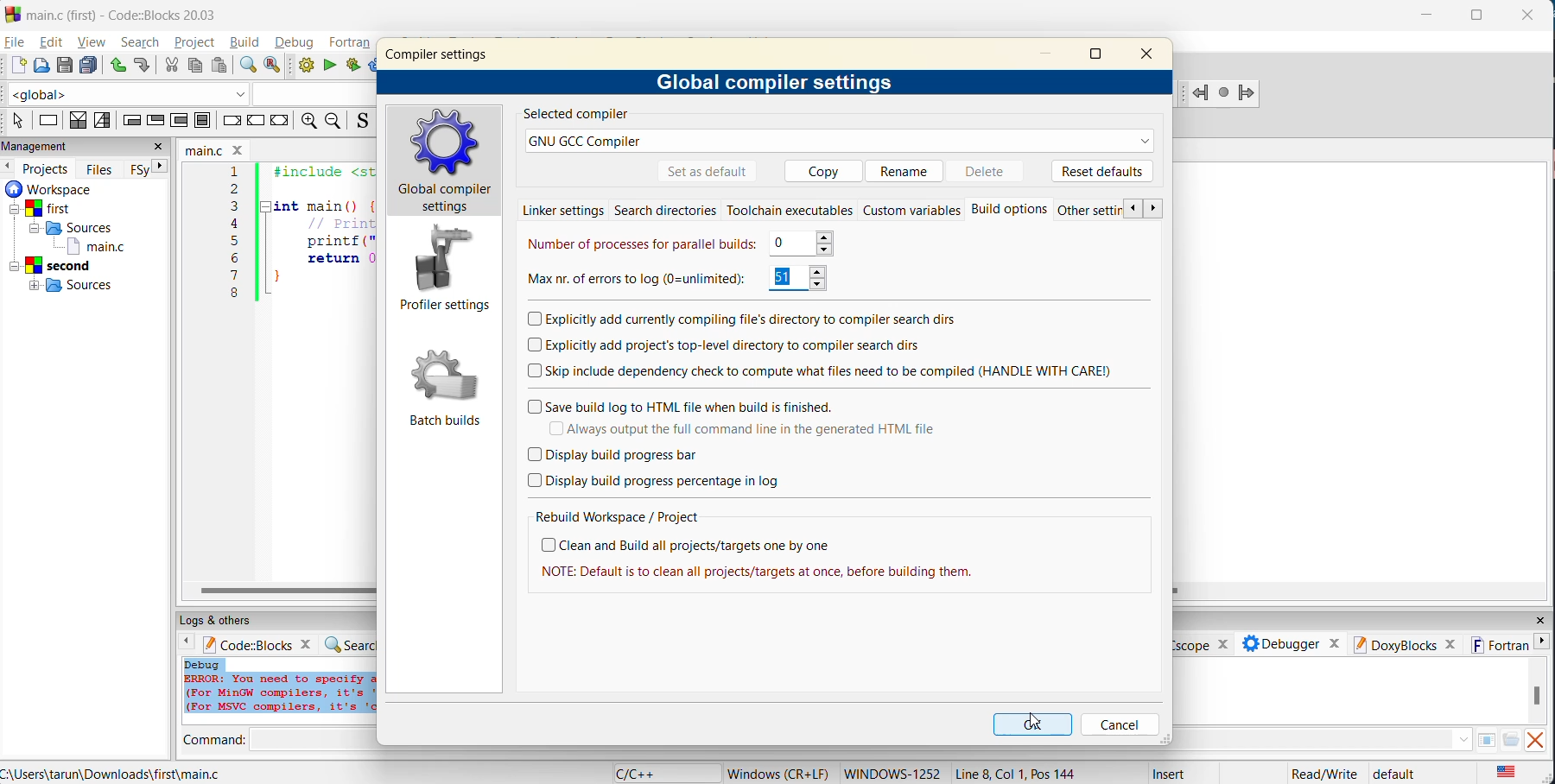  I want to click on file, so click(16, 42).